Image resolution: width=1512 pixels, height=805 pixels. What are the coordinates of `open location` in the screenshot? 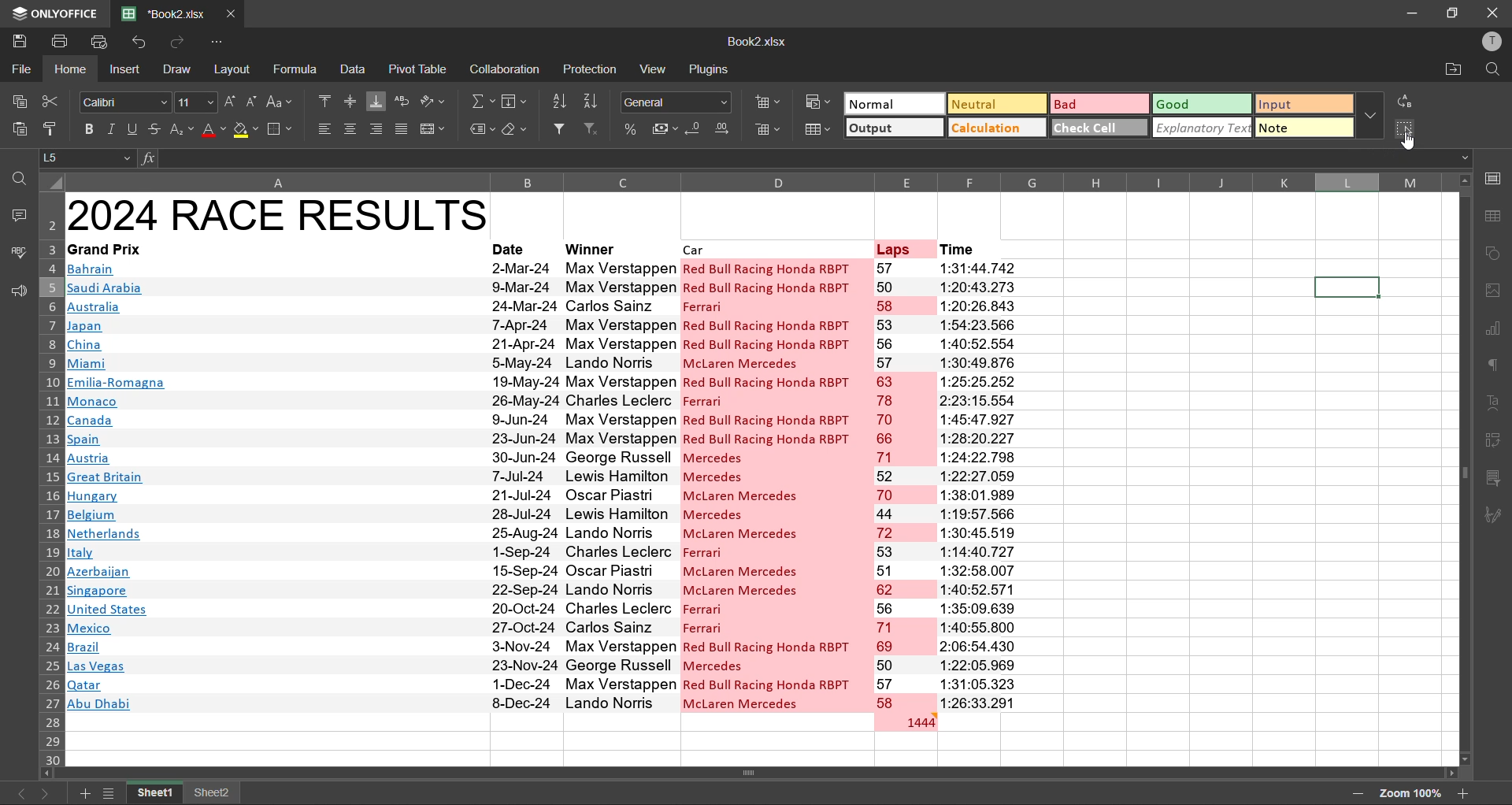 It's located at (1452, 69).